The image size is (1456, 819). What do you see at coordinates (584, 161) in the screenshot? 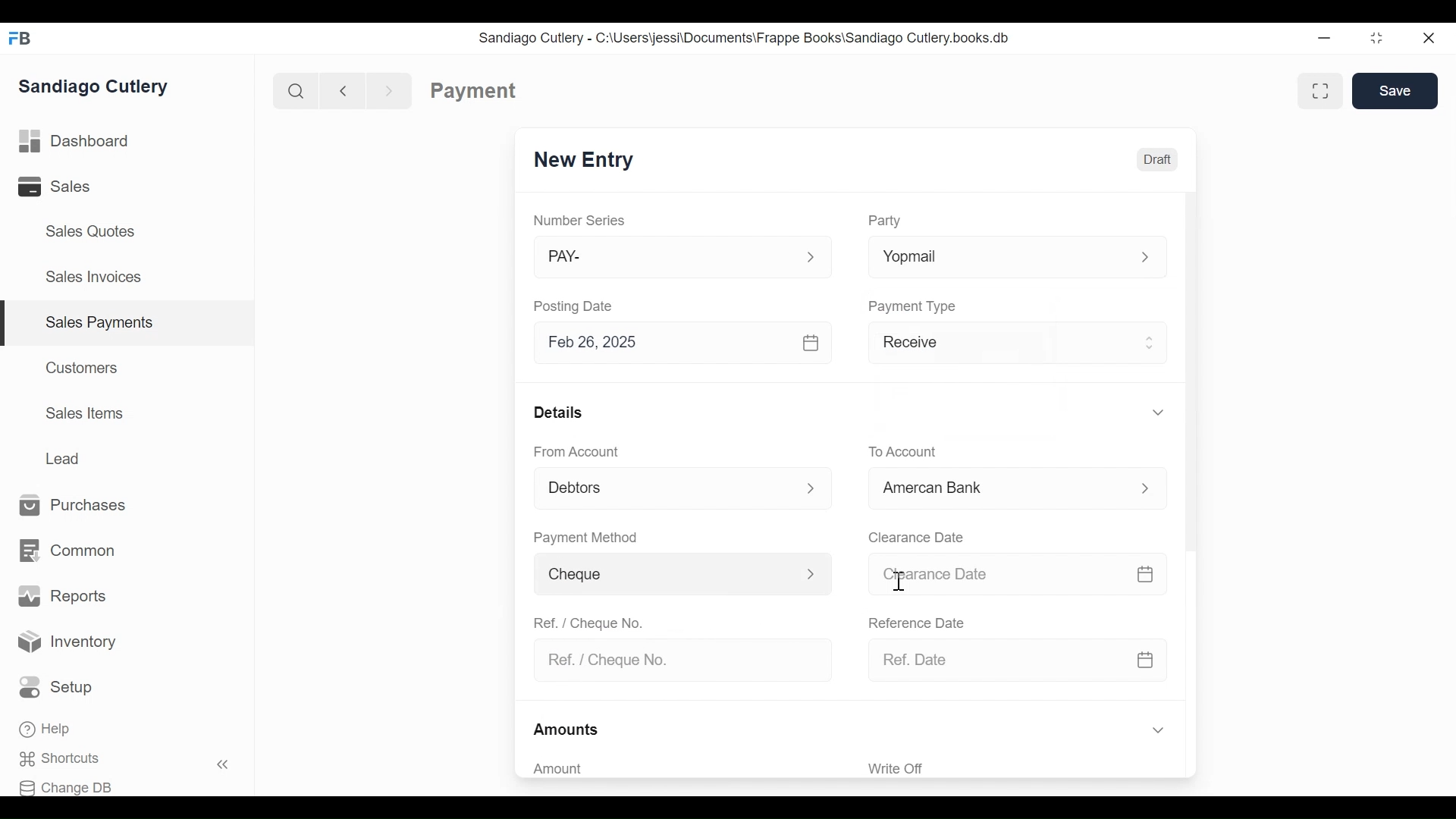
I see `New Entry` at bounding box center [584, 161].